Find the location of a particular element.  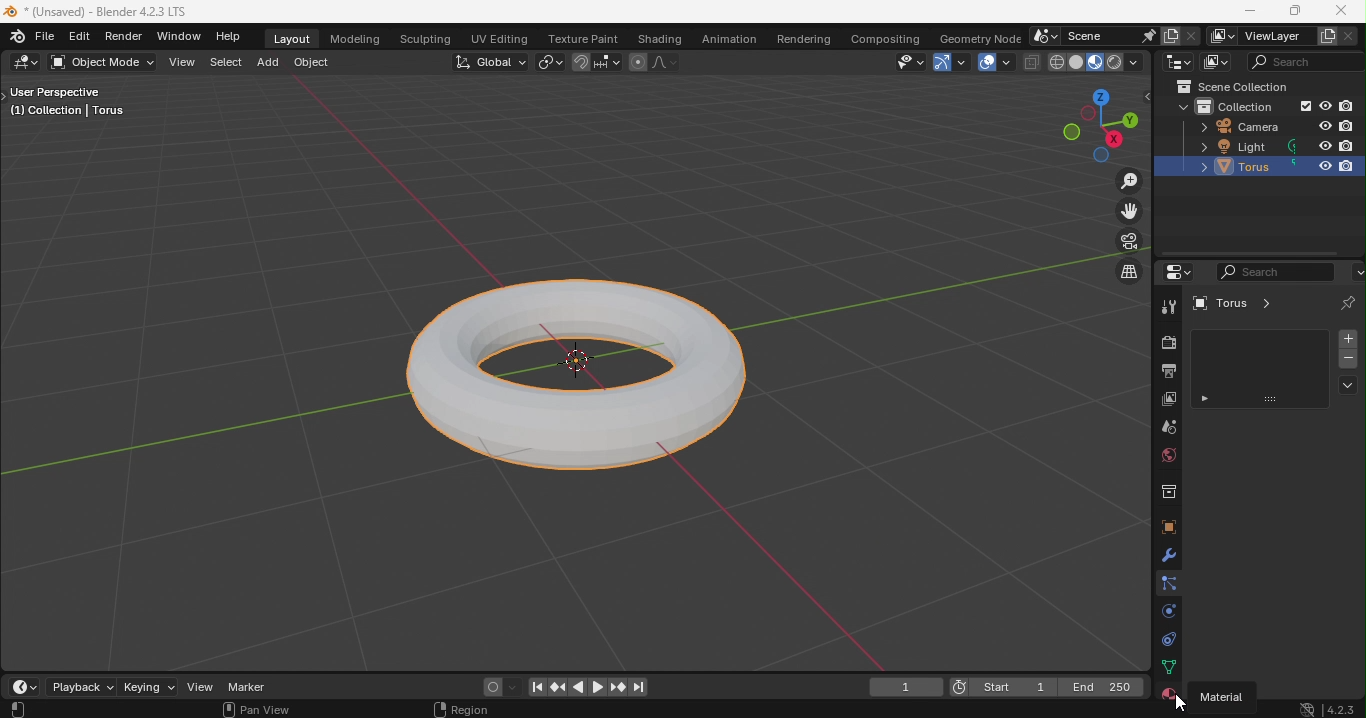

Camera is located at coordinates (1233, 126).